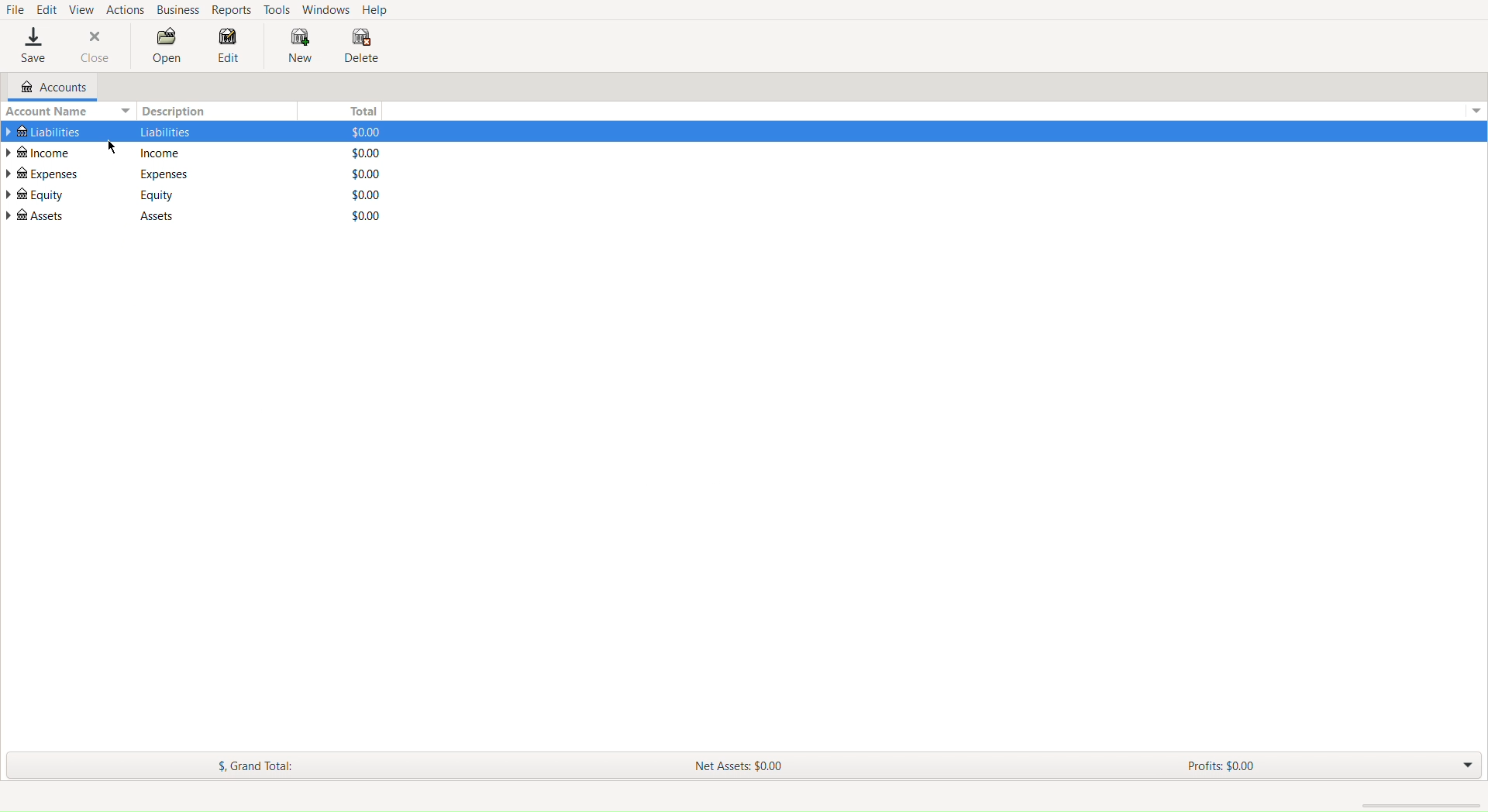 This screenshot has width=1488, height=812. I want to click on Total, so click(370, 131).